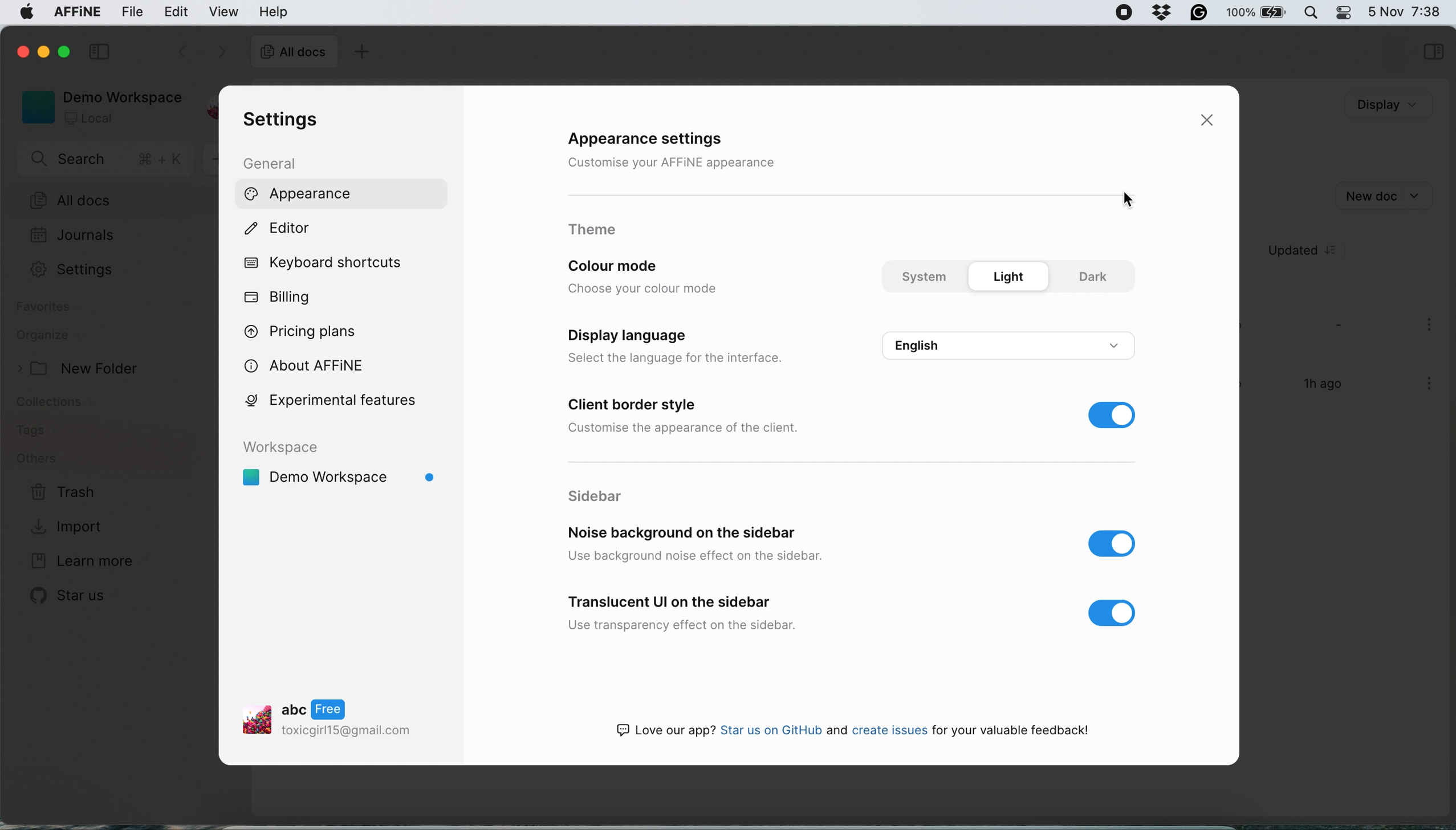  Describe the element at coordinates (43, 49) in the screenshot. I see `minimise` at that location.